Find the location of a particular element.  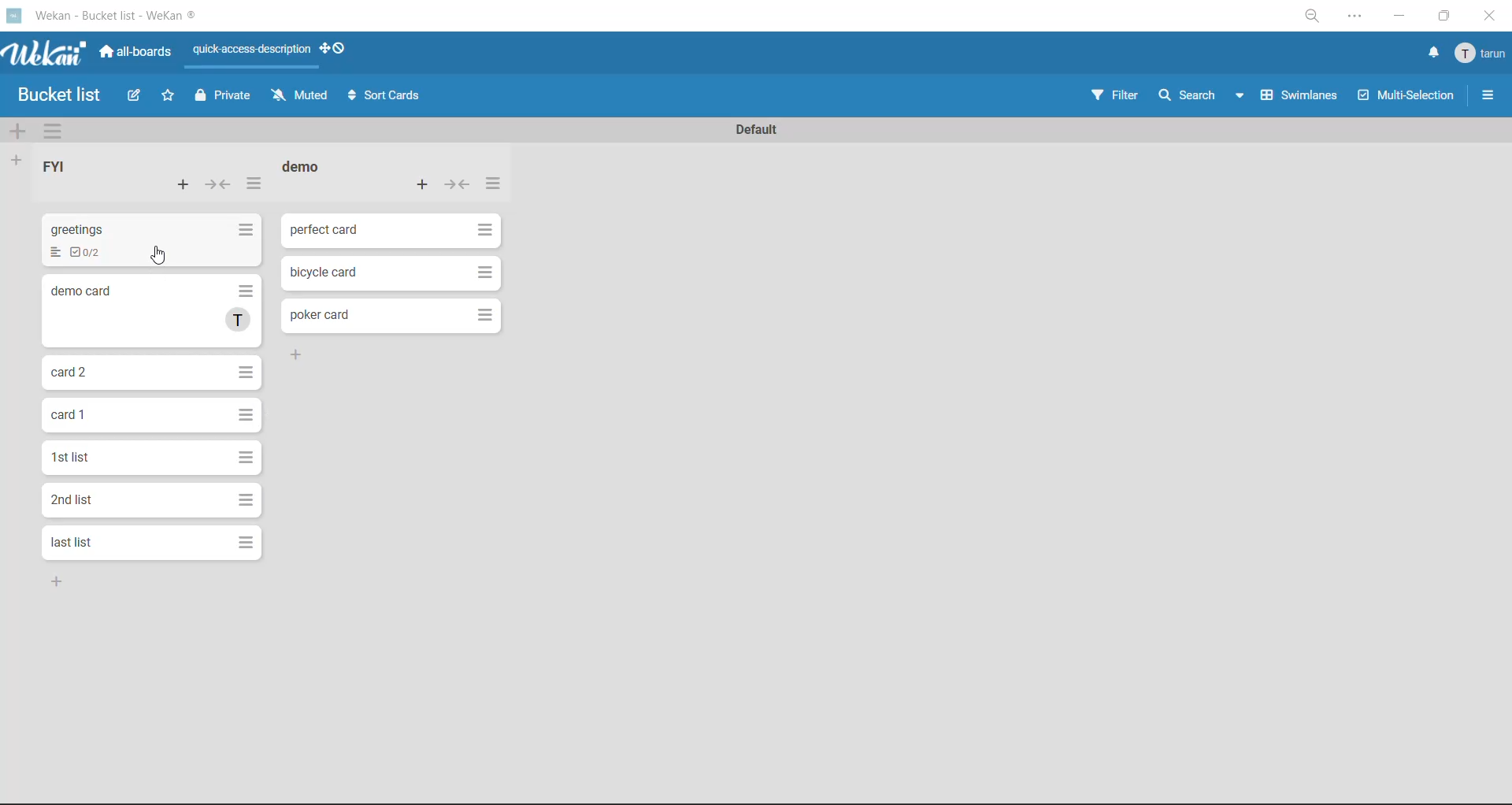

star is located at coordinates (169, 98).